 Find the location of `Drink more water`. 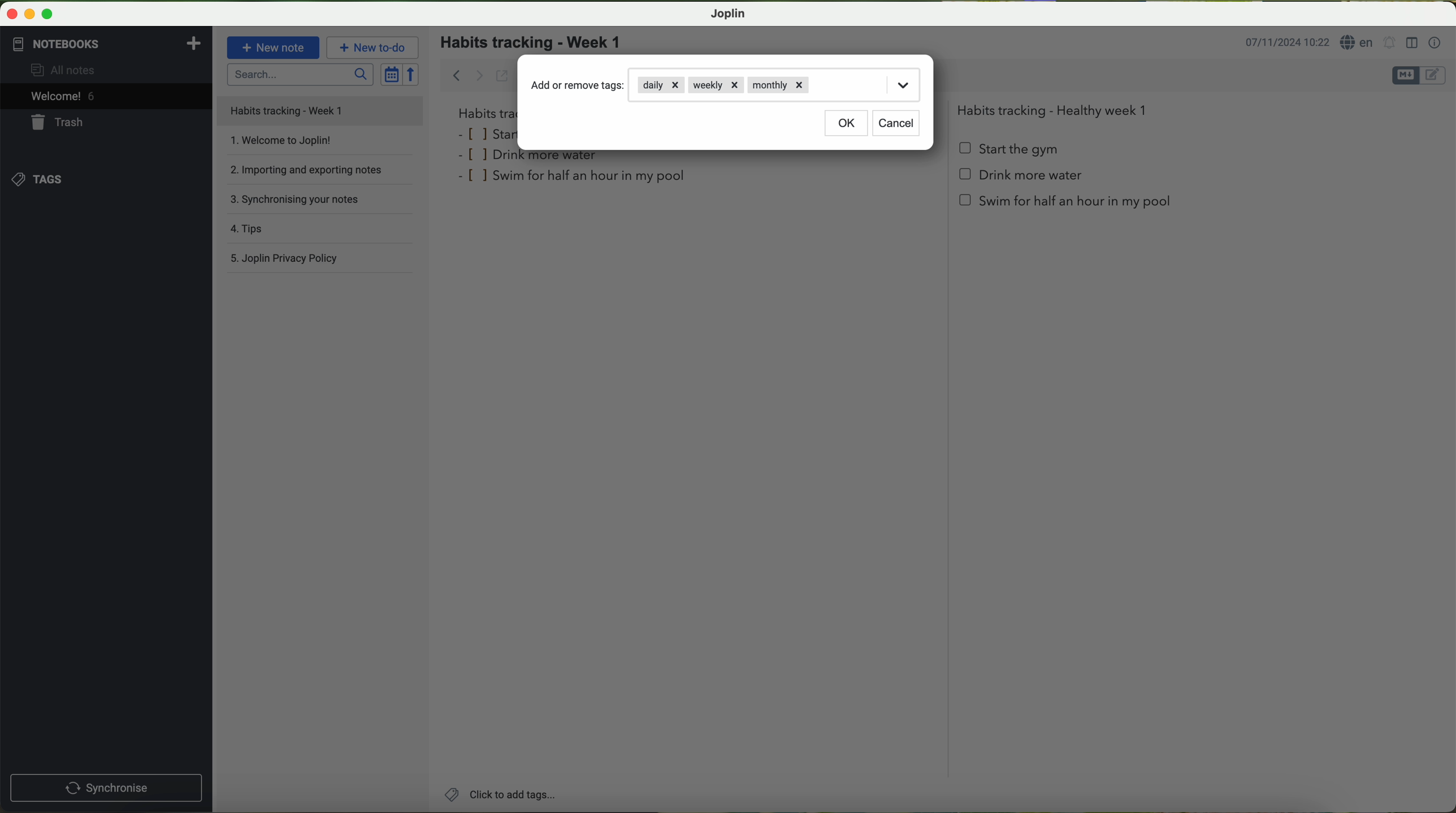

Drink more water is located at coordinates (1021, 179).